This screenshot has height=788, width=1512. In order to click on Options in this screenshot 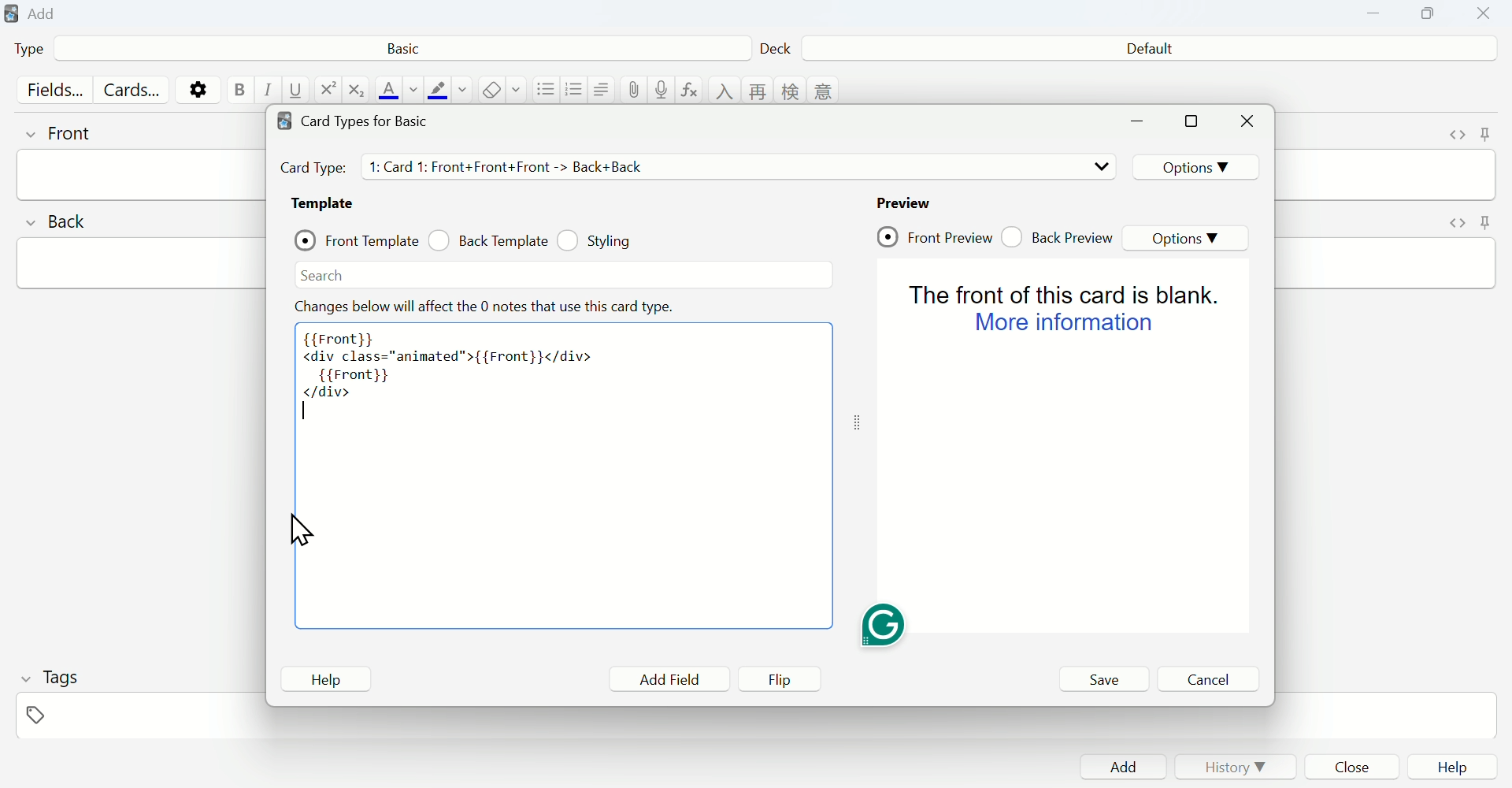, I will do `click(1185, 238)`.